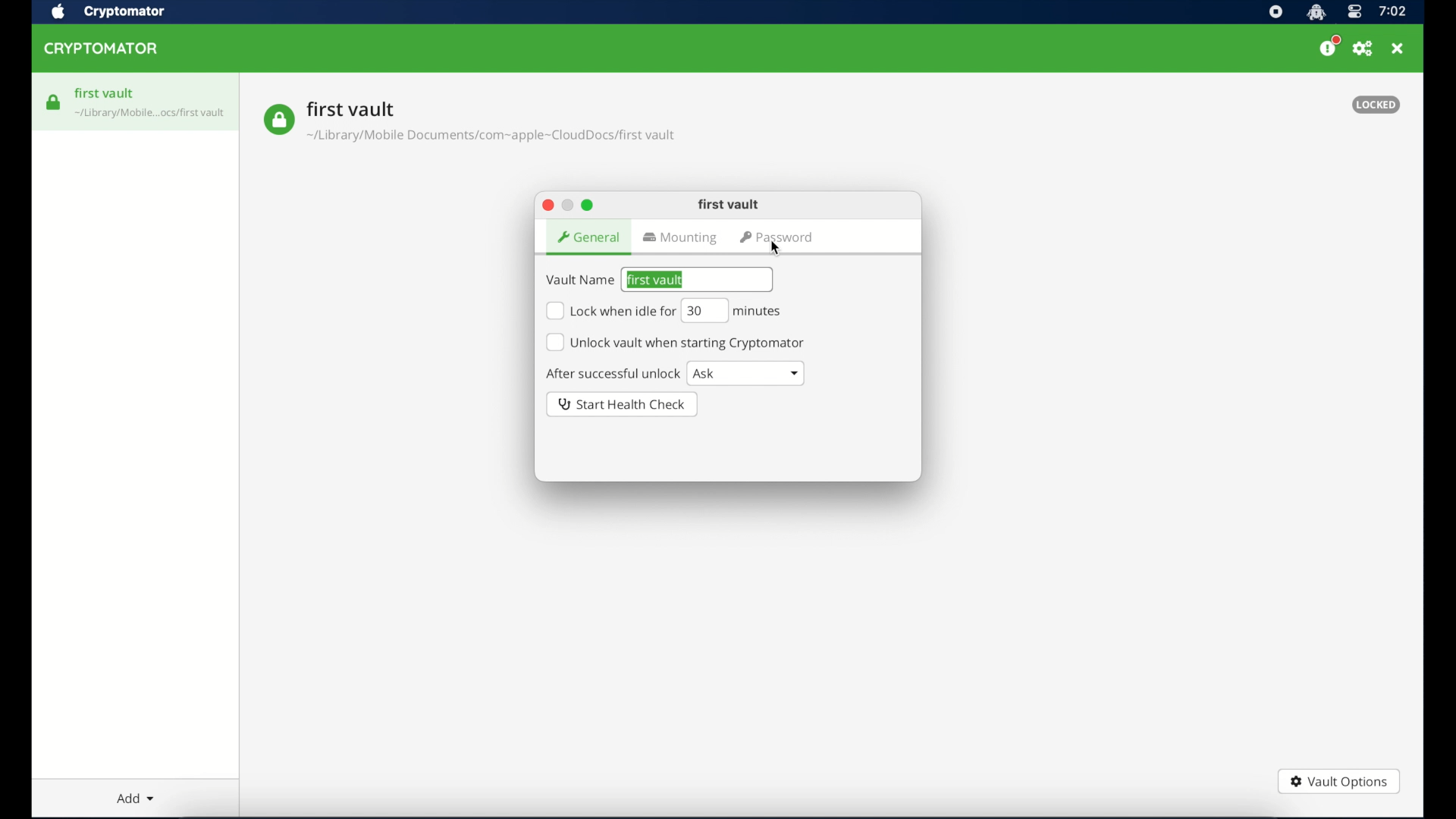 The width and height of the screenshot is (1456, 819). Describe the element at coordinates (579, 281) in the screenshot. I see `vault name` at that location.